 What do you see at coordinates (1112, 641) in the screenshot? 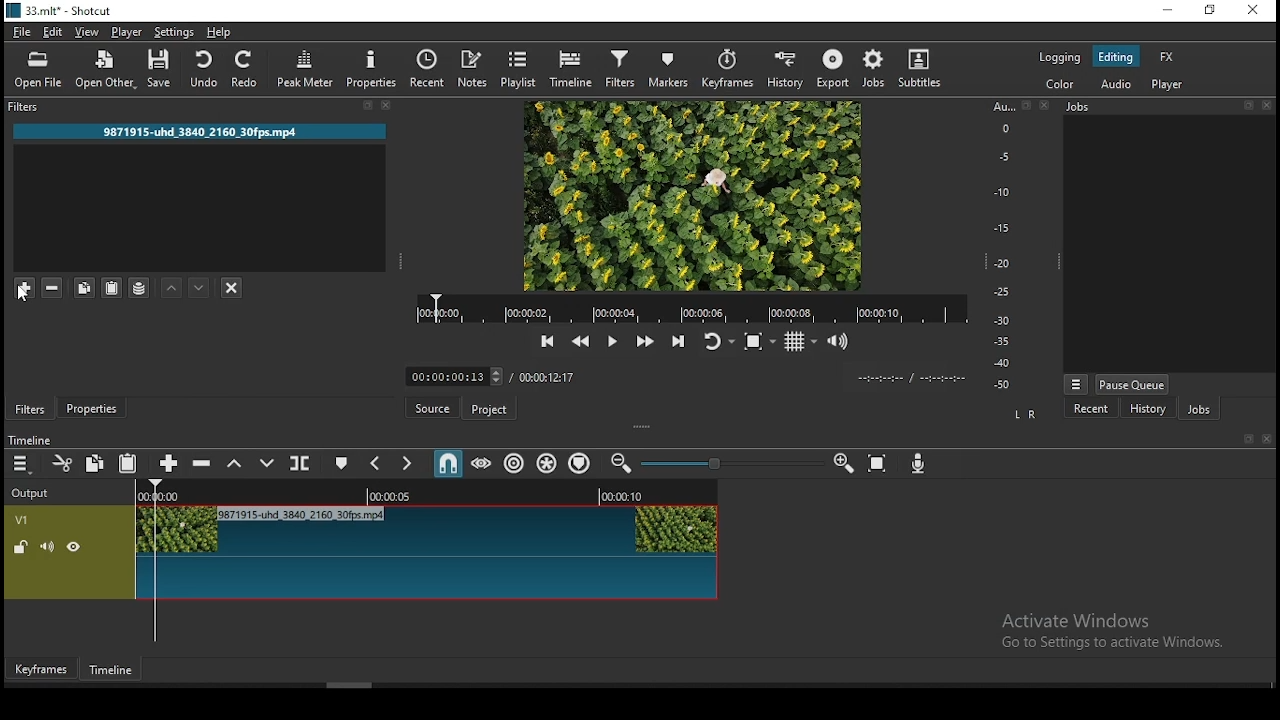
I see `Go to Settings to activate Windows.` at bounding box center [1112, 641].